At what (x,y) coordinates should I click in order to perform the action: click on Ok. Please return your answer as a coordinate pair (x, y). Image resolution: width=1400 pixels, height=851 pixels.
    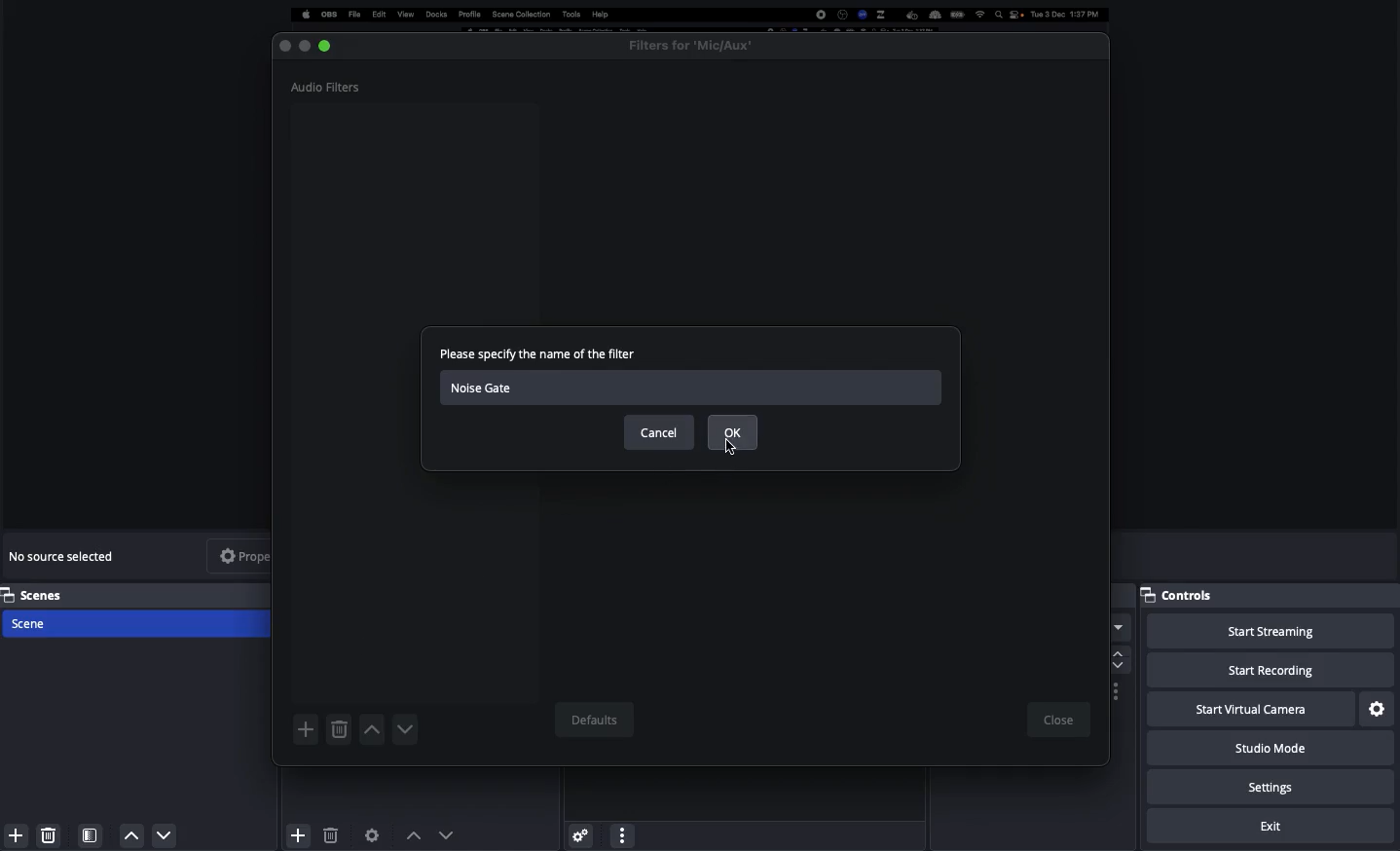
    Looking at the image, I should click on (735, 431).